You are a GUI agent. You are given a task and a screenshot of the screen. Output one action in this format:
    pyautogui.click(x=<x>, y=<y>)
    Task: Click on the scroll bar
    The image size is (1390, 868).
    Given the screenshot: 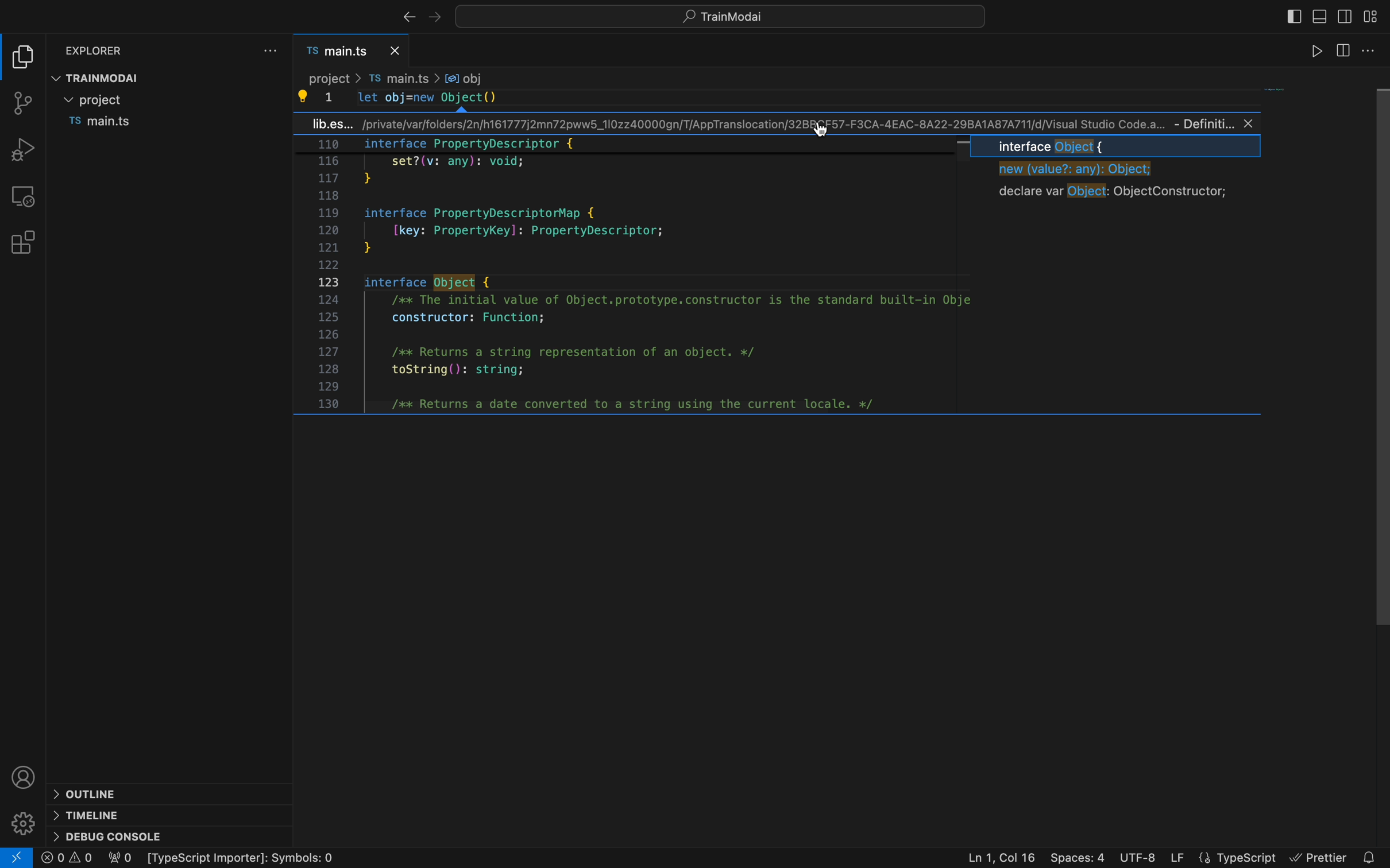 What is the action you would take?
    pyautogui.click(x=1380, y=371)
    